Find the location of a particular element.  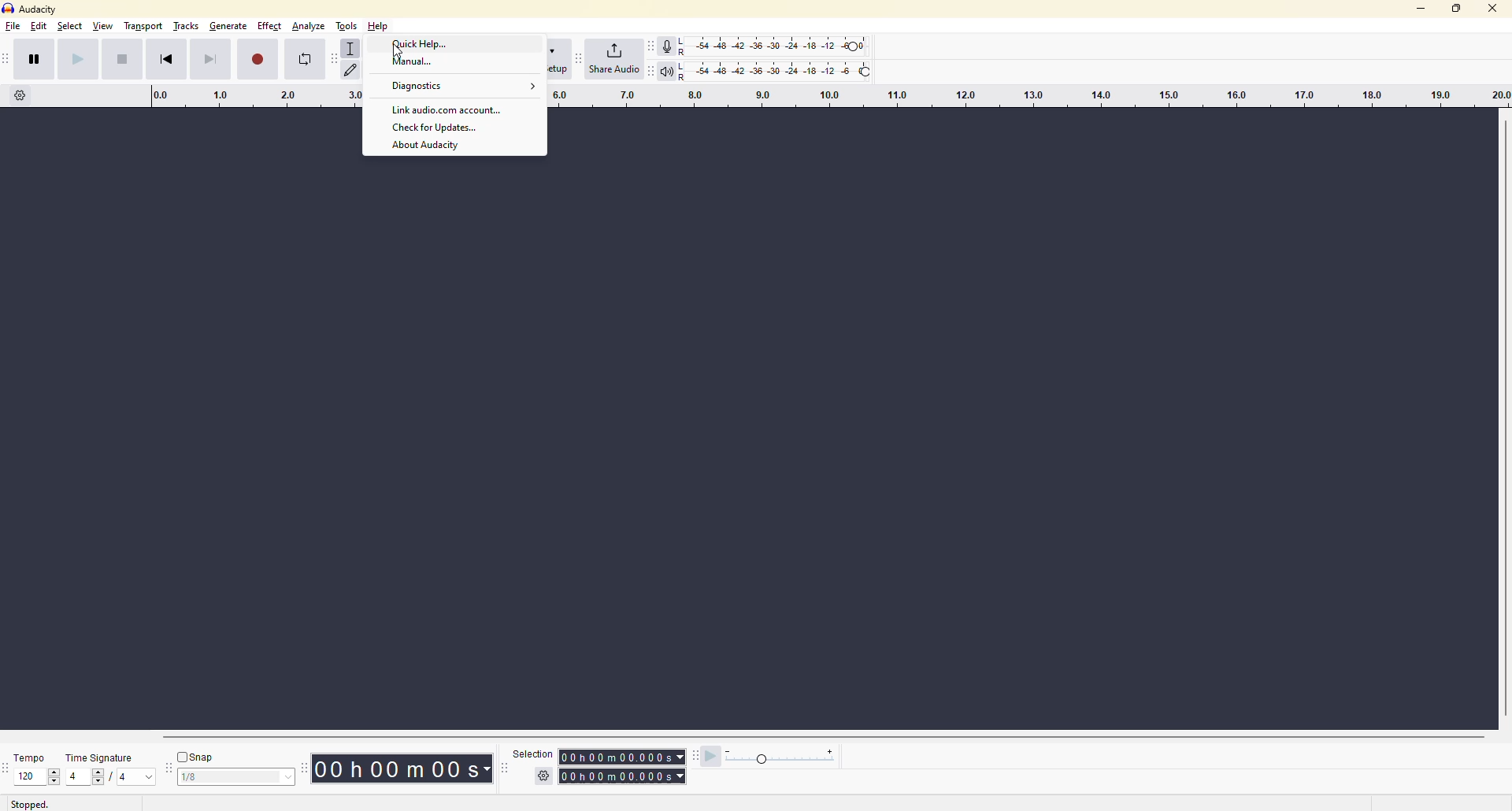

time is located at coordinates (624, 766).